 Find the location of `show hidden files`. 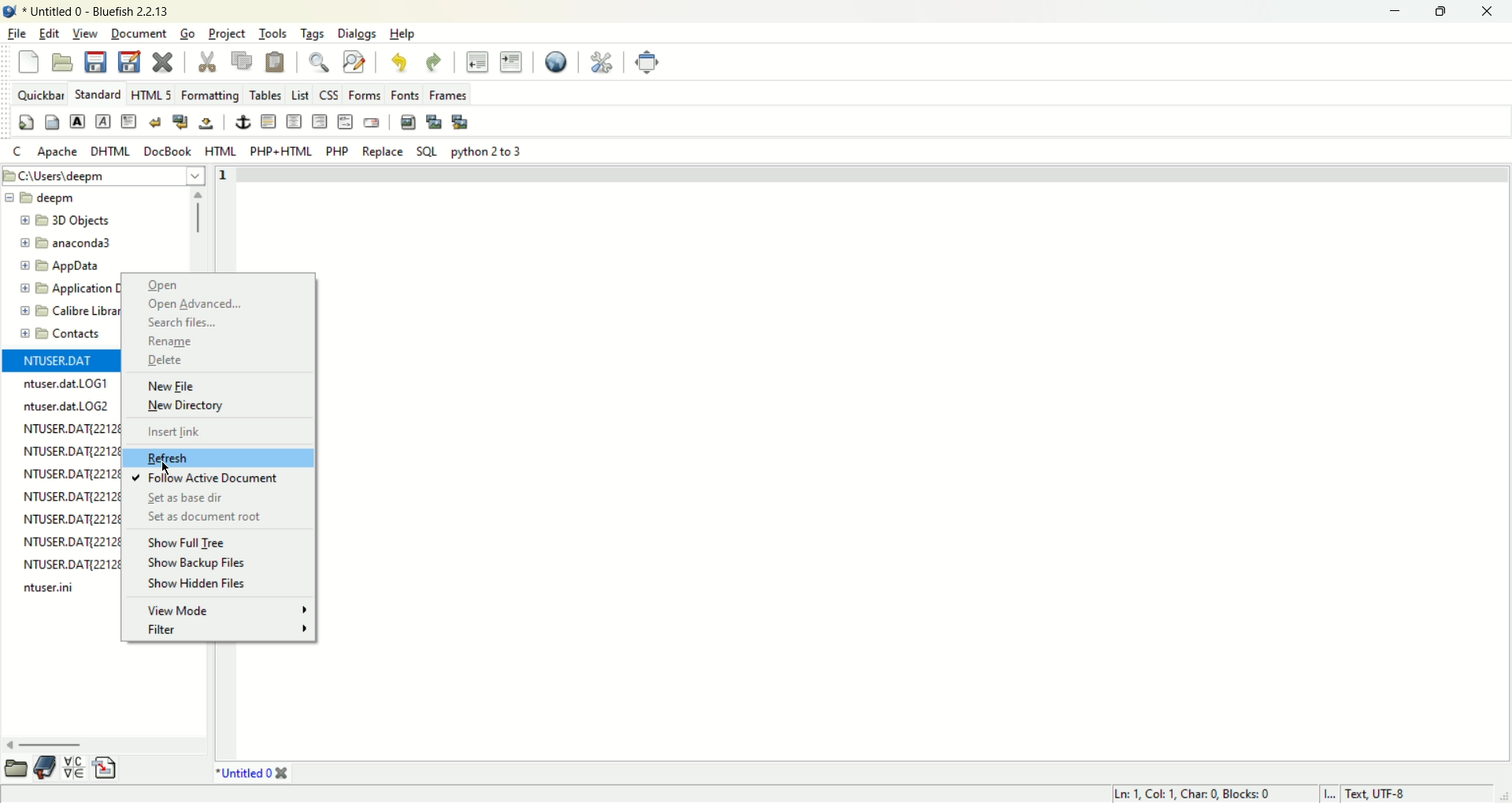

show hidden files is located at coordinates (205, 585).